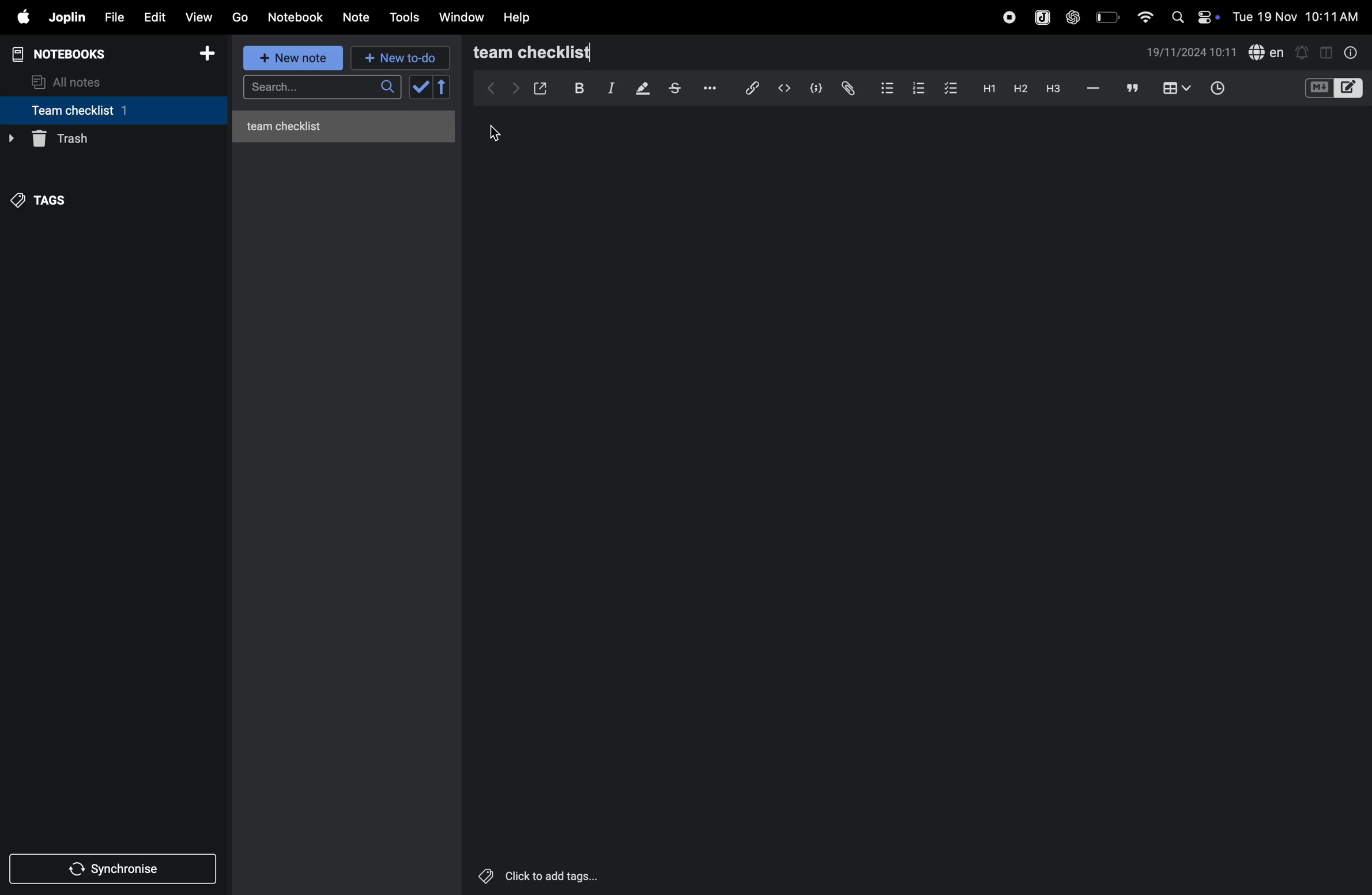 Image resolution: width=1372 pixels, height=895 pixels. I want to click on date and time, so click(1192, 54).